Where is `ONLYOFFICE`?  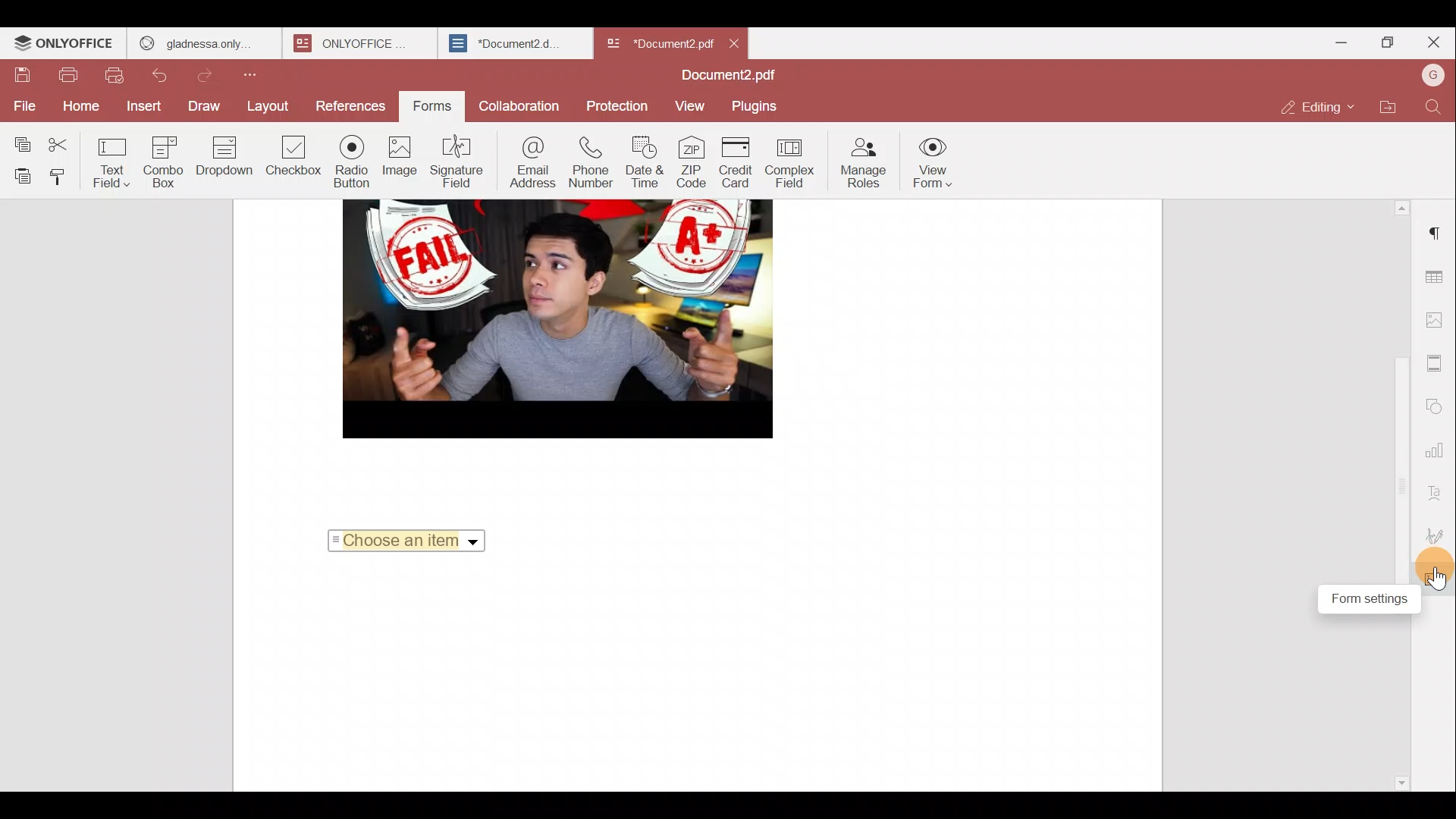 ONLYOFFICE is located at coordinates (64, 45).